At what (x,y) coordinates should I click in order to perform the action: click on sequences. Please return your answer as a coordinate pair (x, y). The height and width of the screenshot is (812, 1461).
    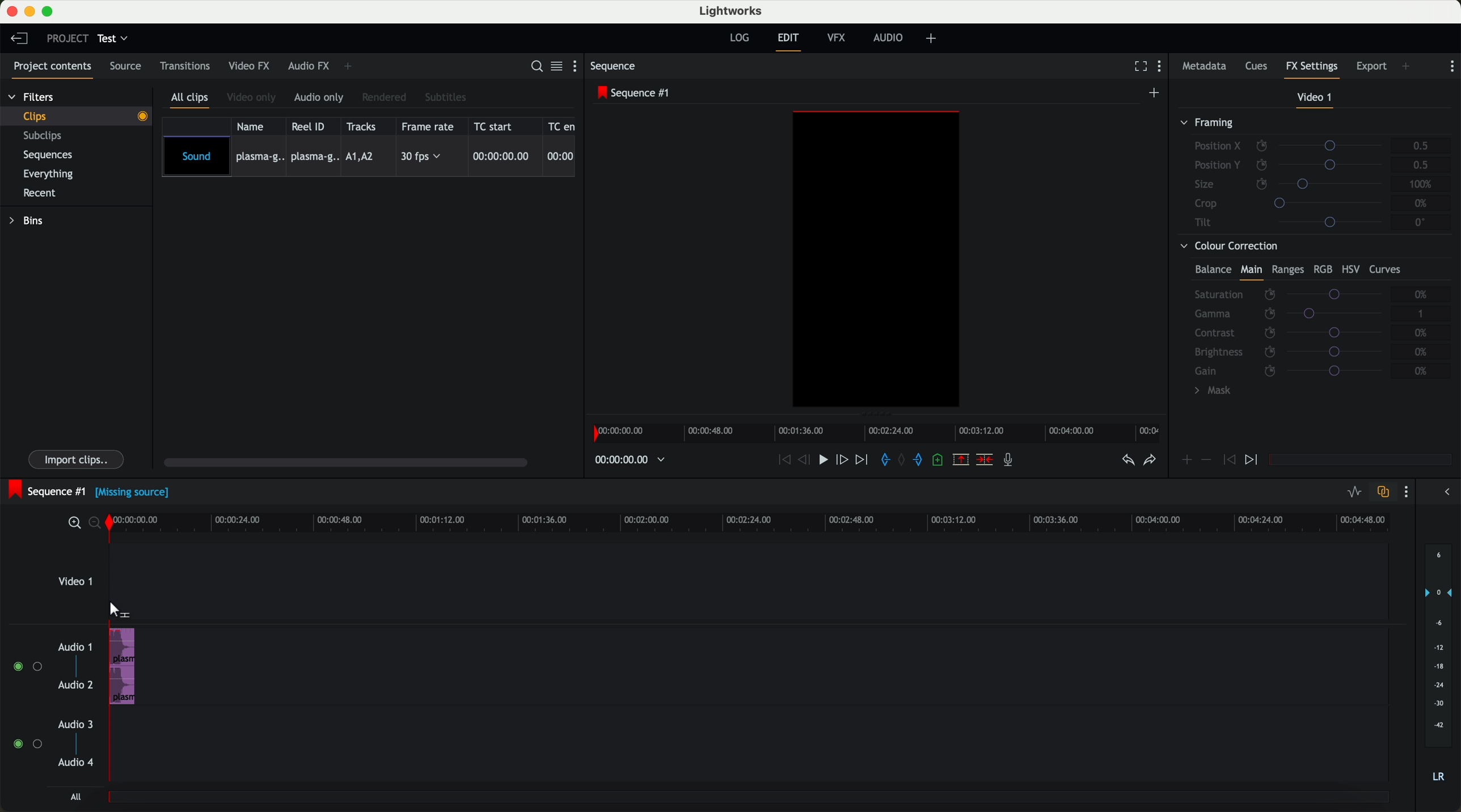
    Looking at the image, I should click on (52, 157).